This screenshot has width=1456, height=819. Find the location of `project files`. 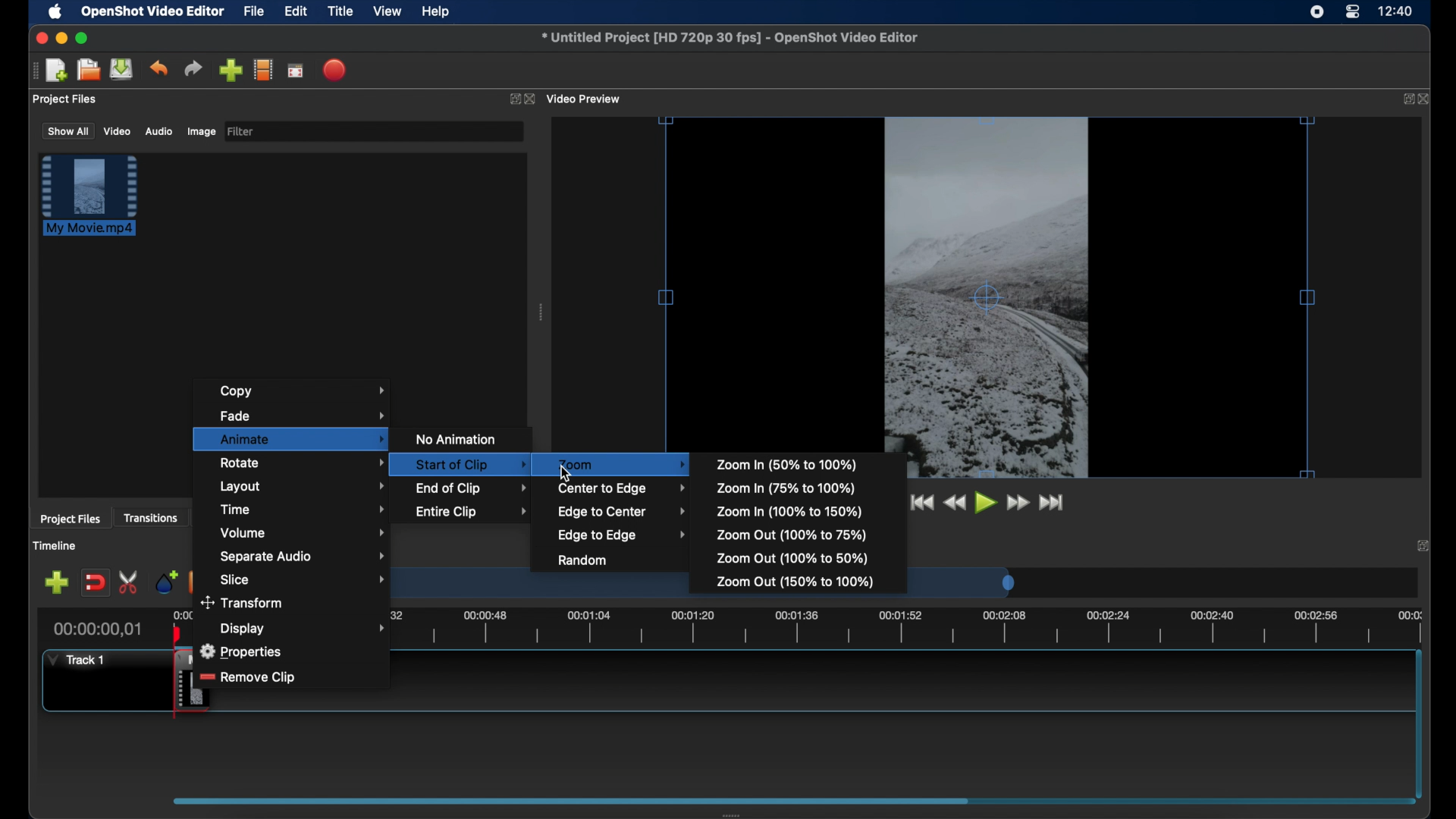

project files is located at coordinates (65, 99).